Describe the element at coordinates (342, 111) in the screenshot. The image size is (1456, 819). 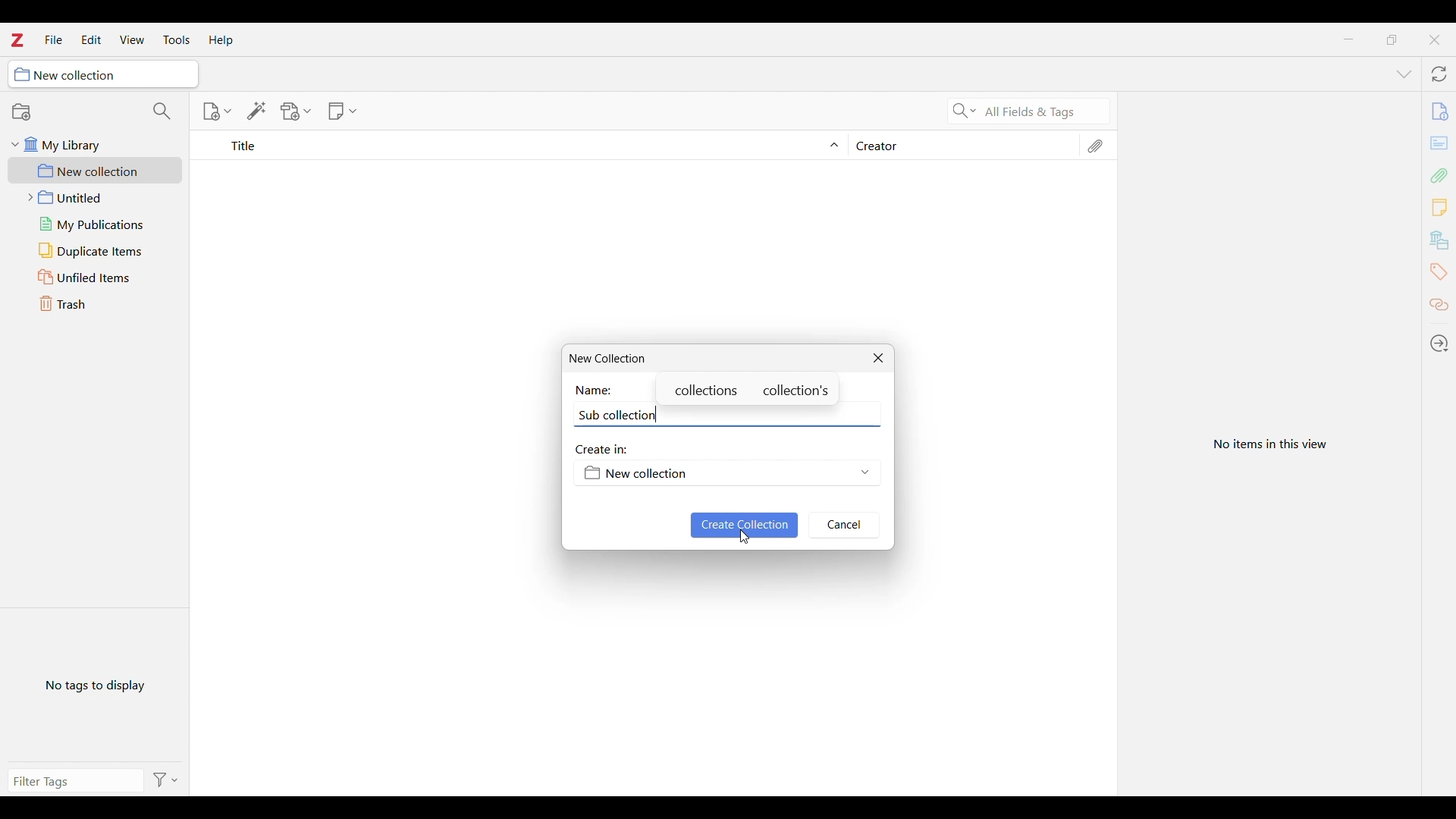
I see `New note options` at that location.